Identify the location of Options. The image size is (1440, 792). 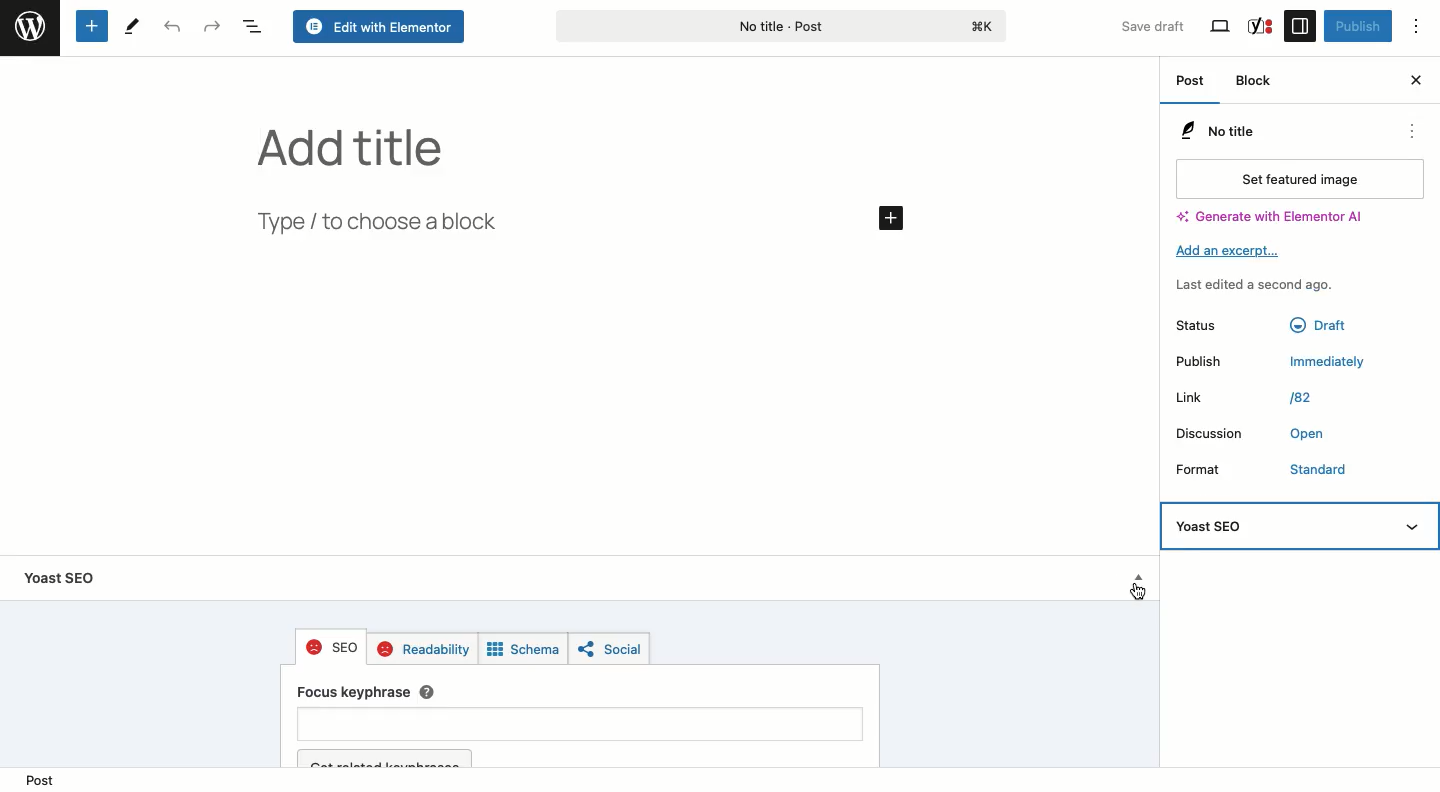
(1425, 27).